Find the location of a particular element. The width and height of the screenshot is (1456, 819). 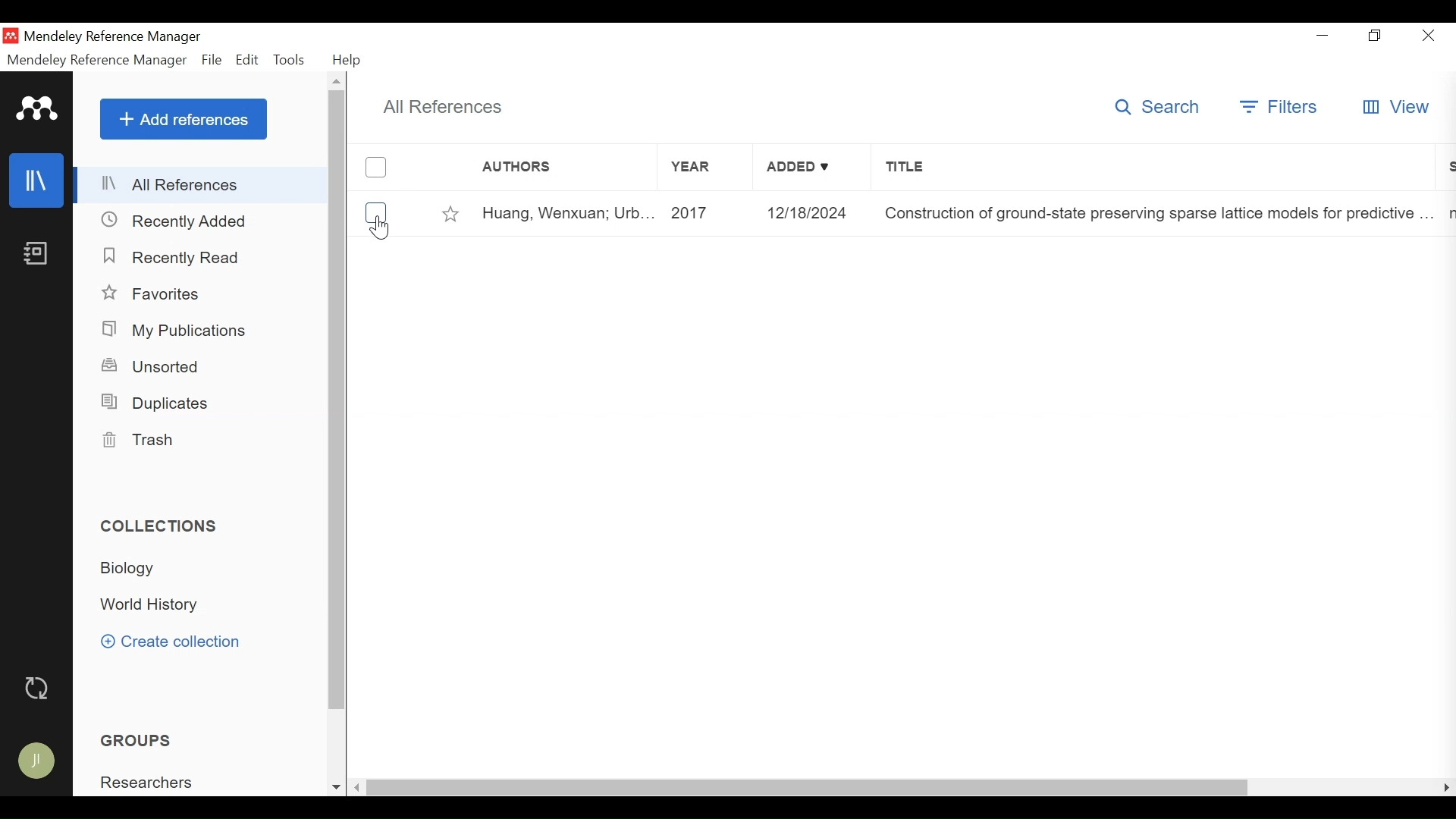

Mendeley  is located at coordinates (39, 110).